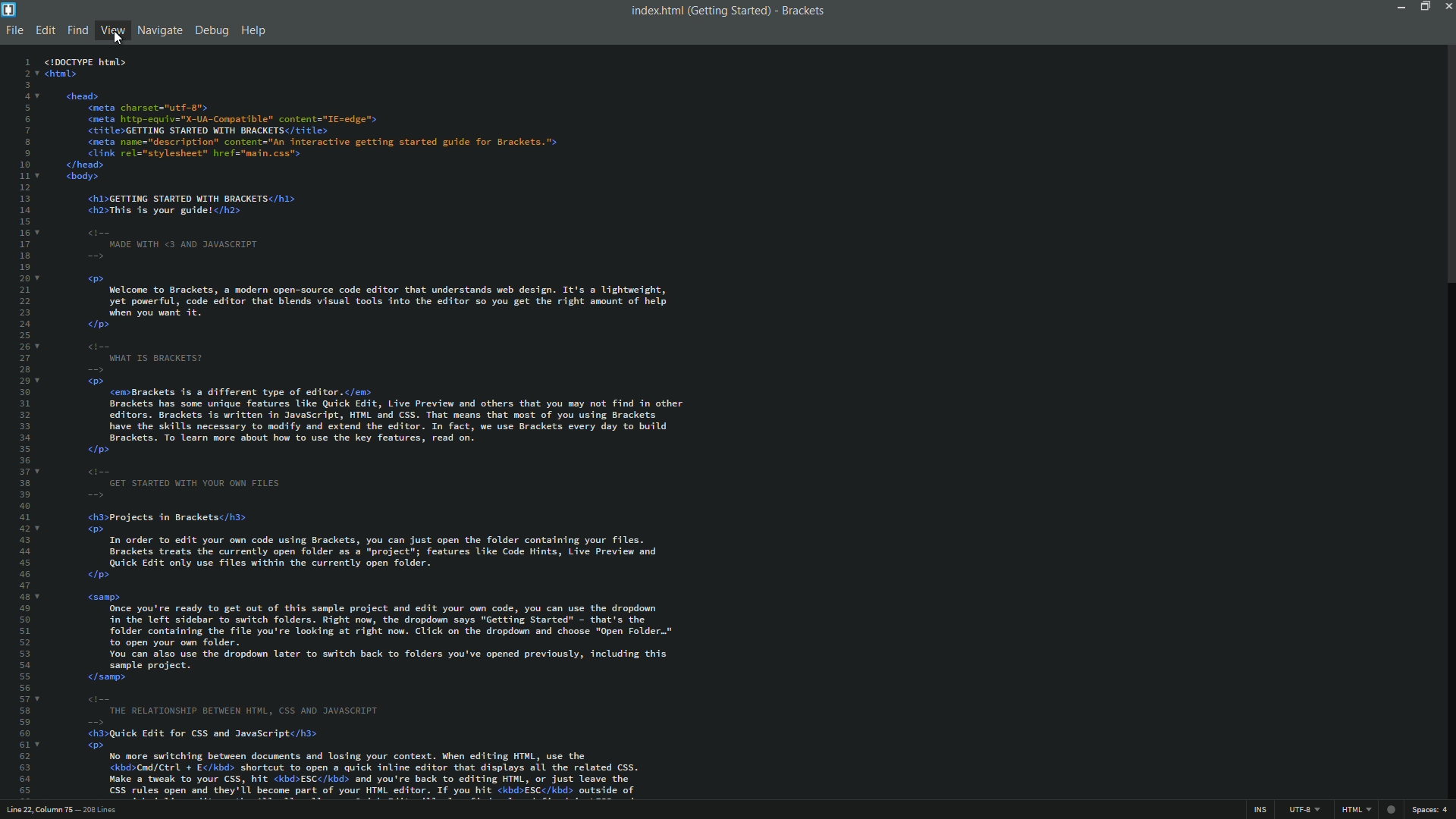 Image resolution: width=1456 pixels, height=819 pixels. Describe the element at coordinates (160, 30) in the screenshot. I see `navigate` at that location.